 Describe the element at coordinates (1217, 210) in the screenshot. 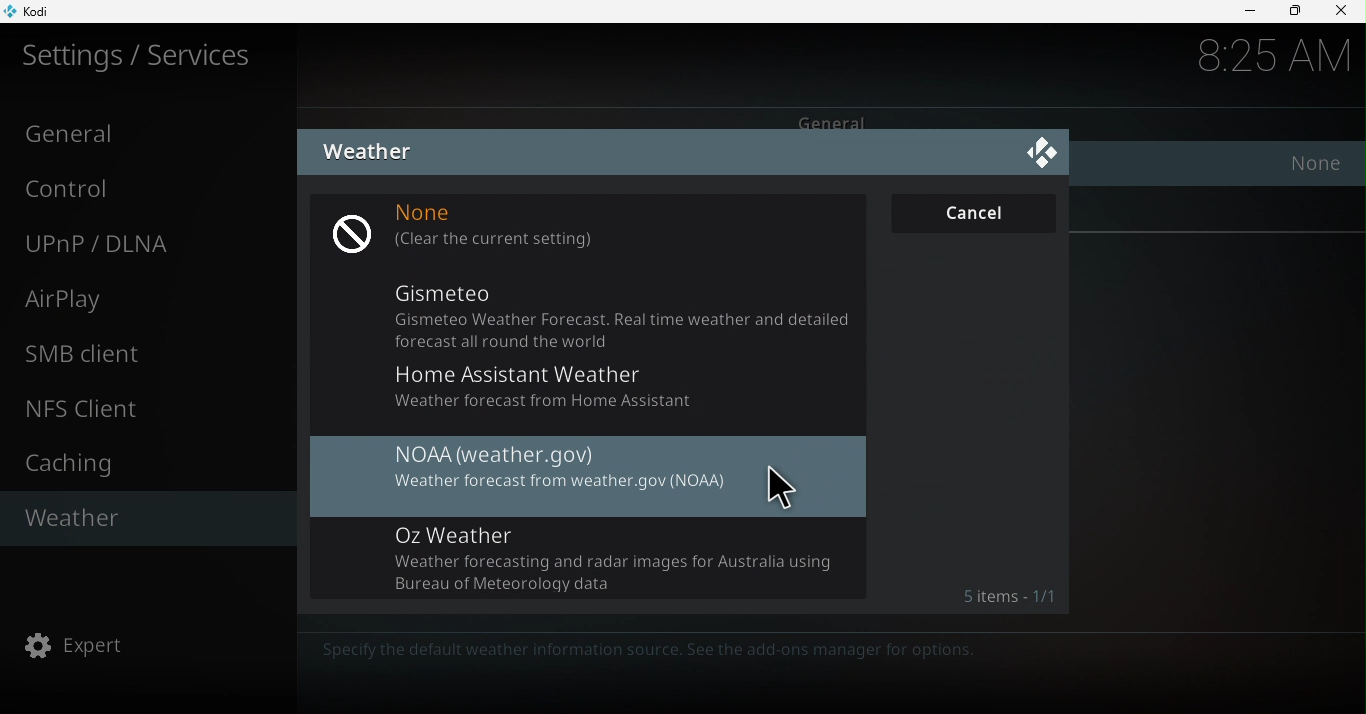

I see `Settings` at that location.